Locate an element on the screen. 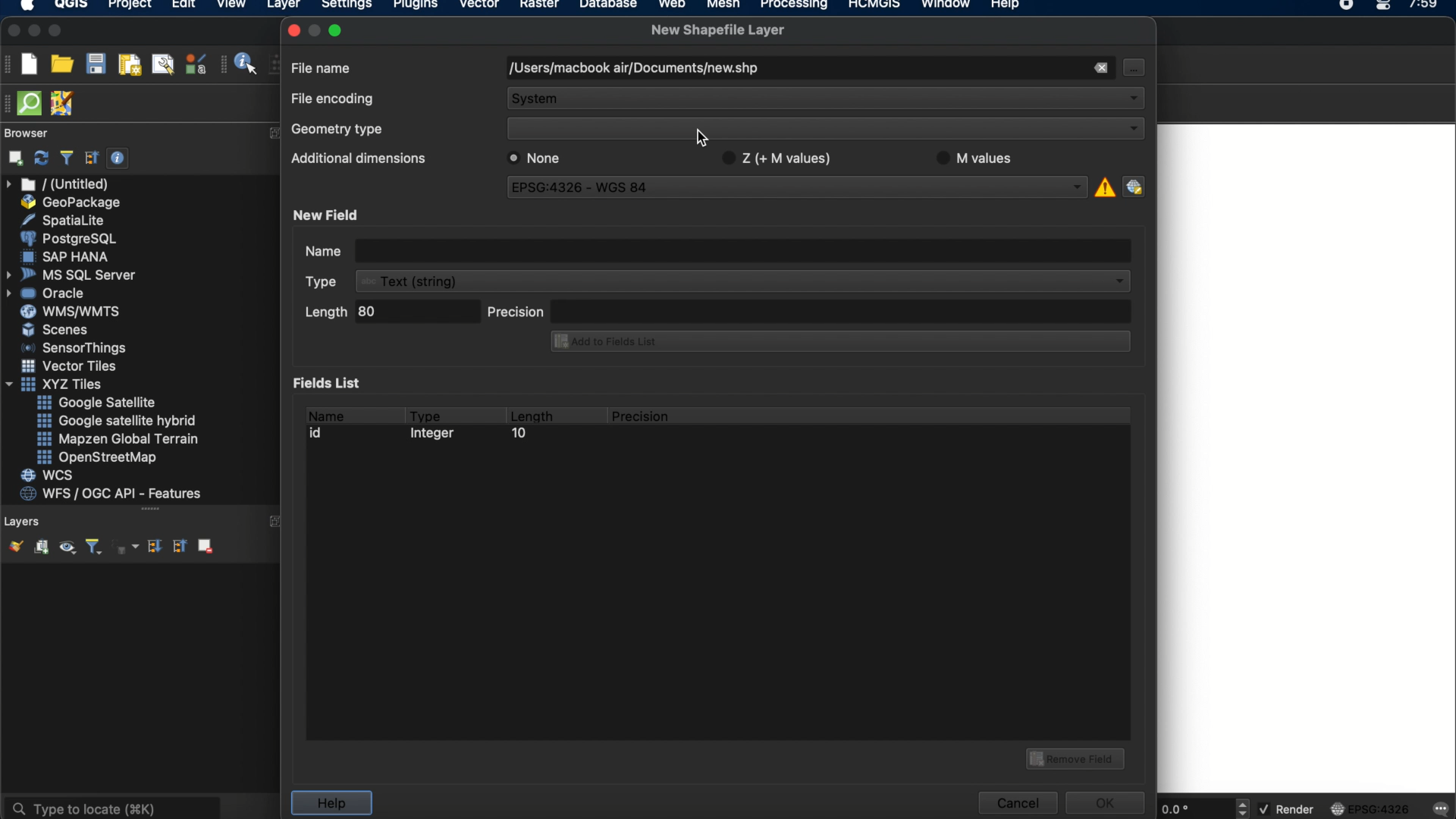  database is located at coordinates (607, 6).